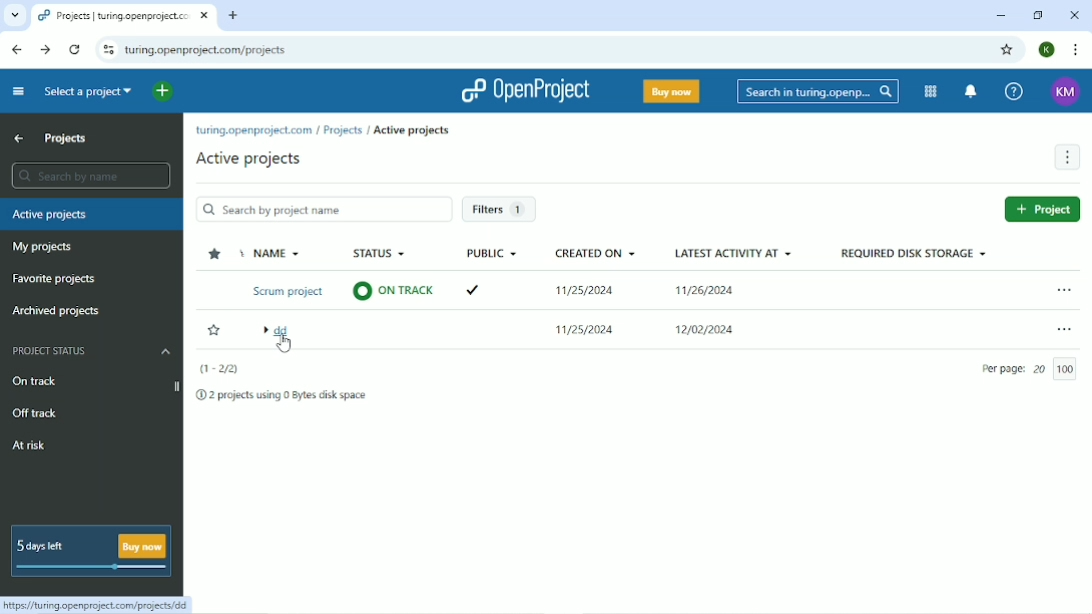 Image resolution: width=1092 pixels, height=614 pixels. What do you see at coordinates (107, 50) in the screenshot?
I see `View site information` at bounding box center [107, 50].